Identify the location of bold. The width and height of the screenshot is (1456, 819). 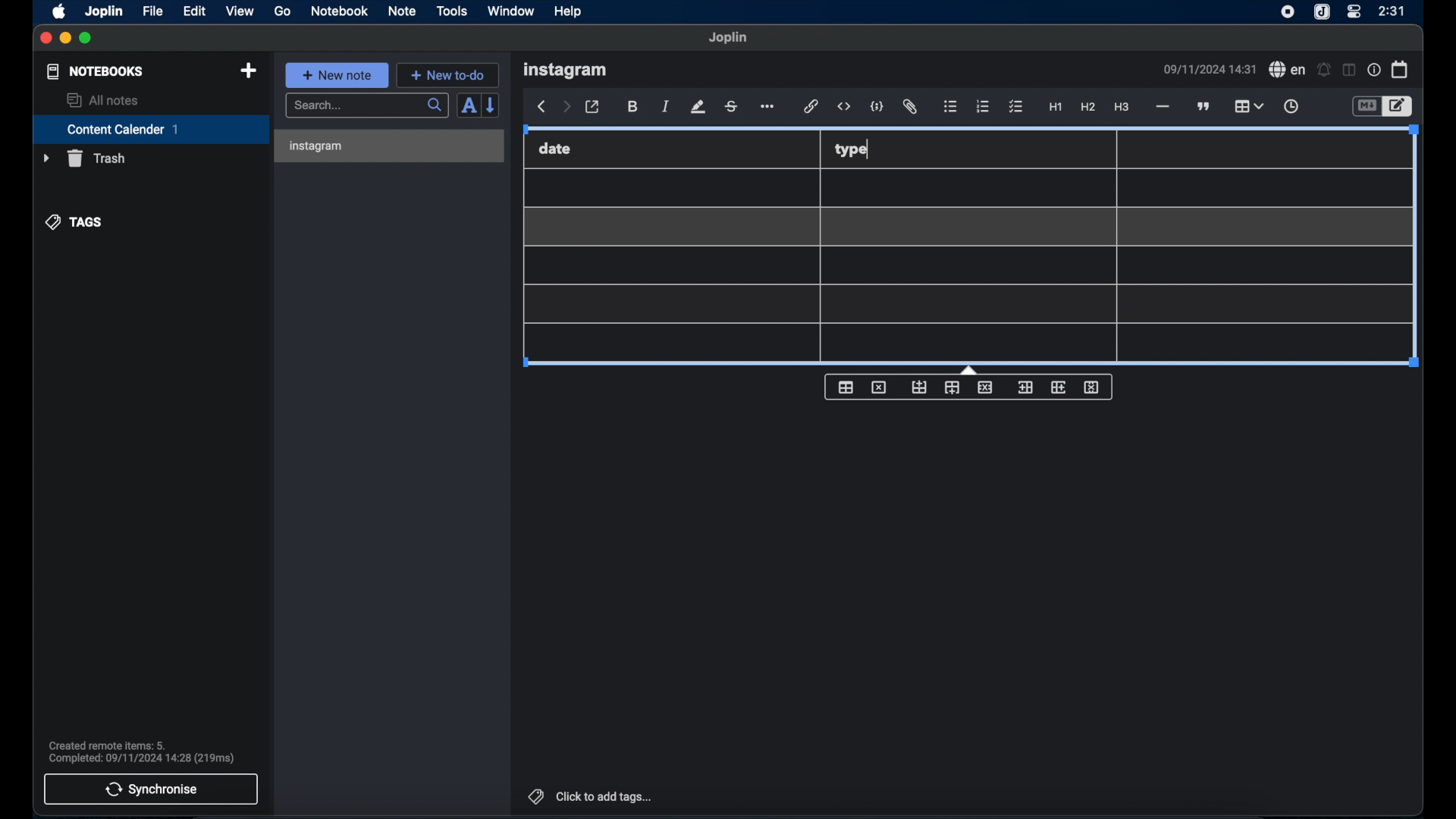
(633, 107).